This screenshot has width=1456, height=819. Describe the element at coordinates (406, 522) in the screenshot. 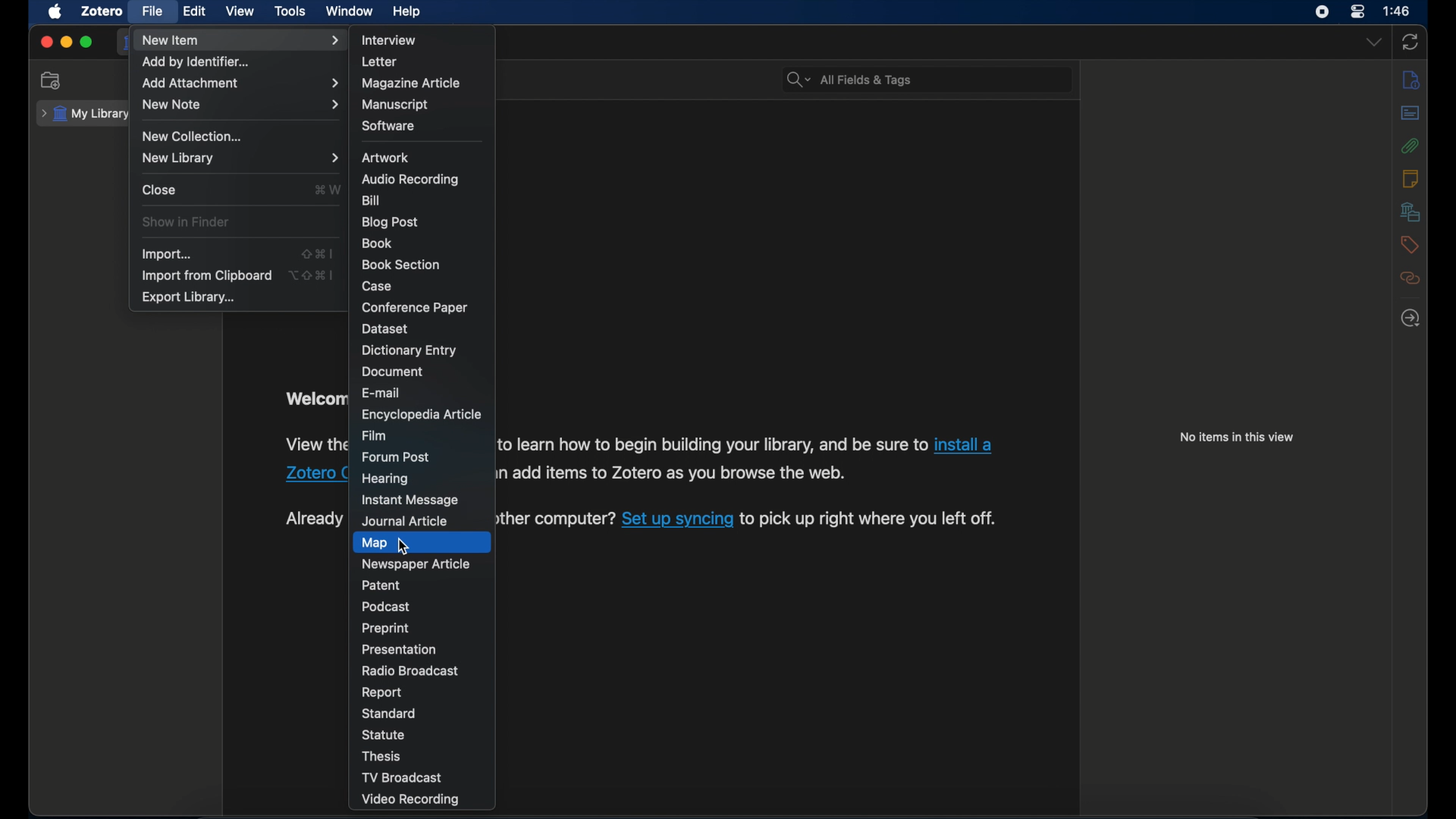

I see `journal article` at that location.